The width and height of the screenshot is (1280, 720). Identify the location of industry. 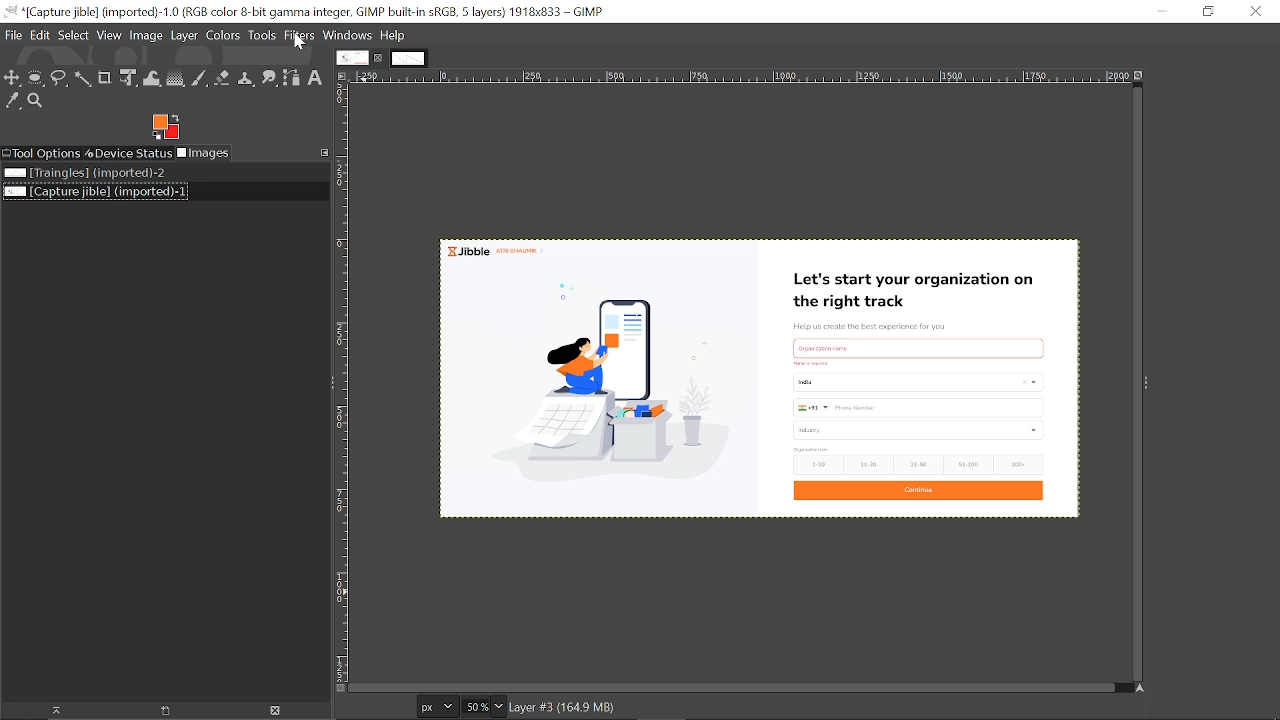
(915, 430).